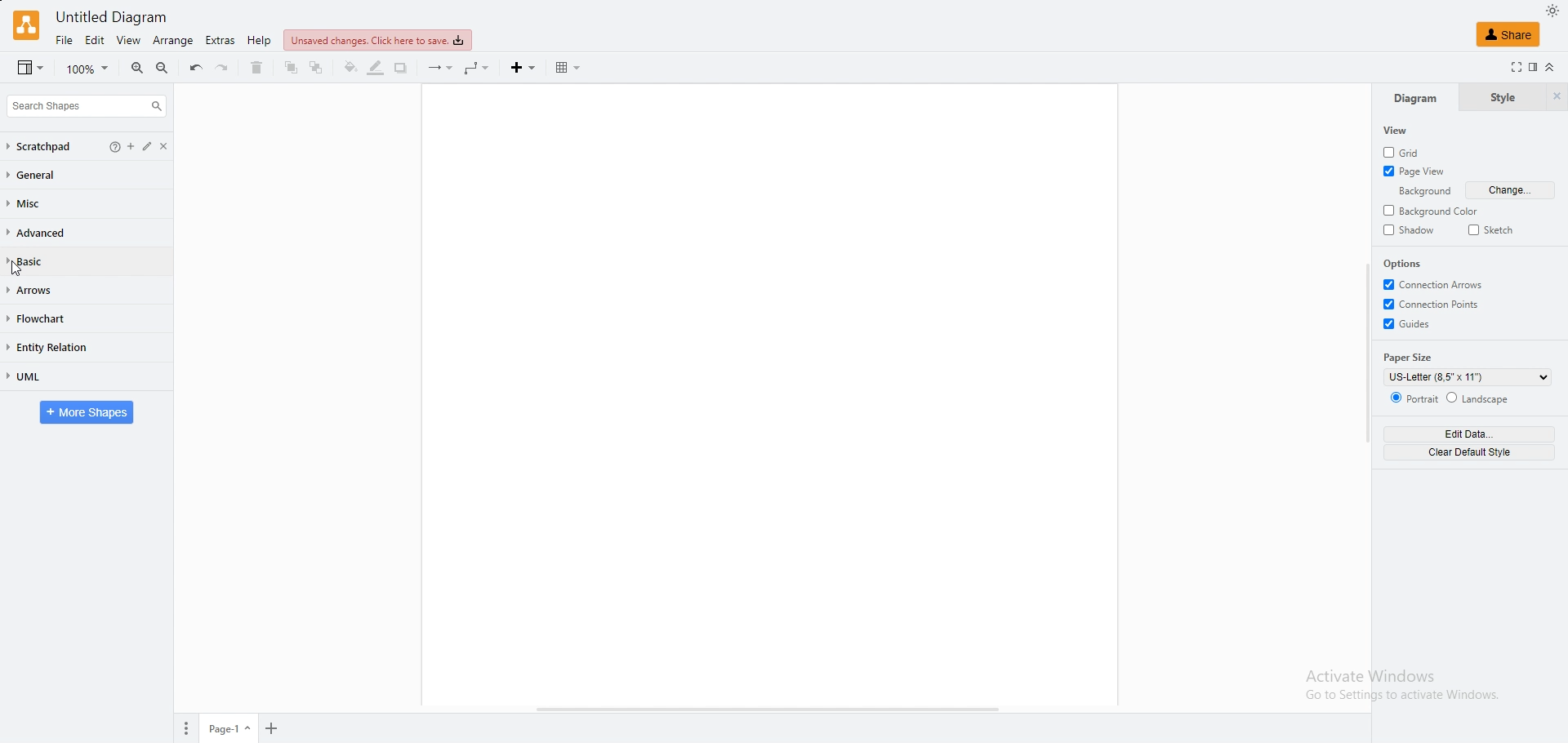 This screenshot has height=743, width=1568. What do you see at coordinates (1512, 67) in the screenshot?
I see `full screen` at bounding box center [1512, 67].